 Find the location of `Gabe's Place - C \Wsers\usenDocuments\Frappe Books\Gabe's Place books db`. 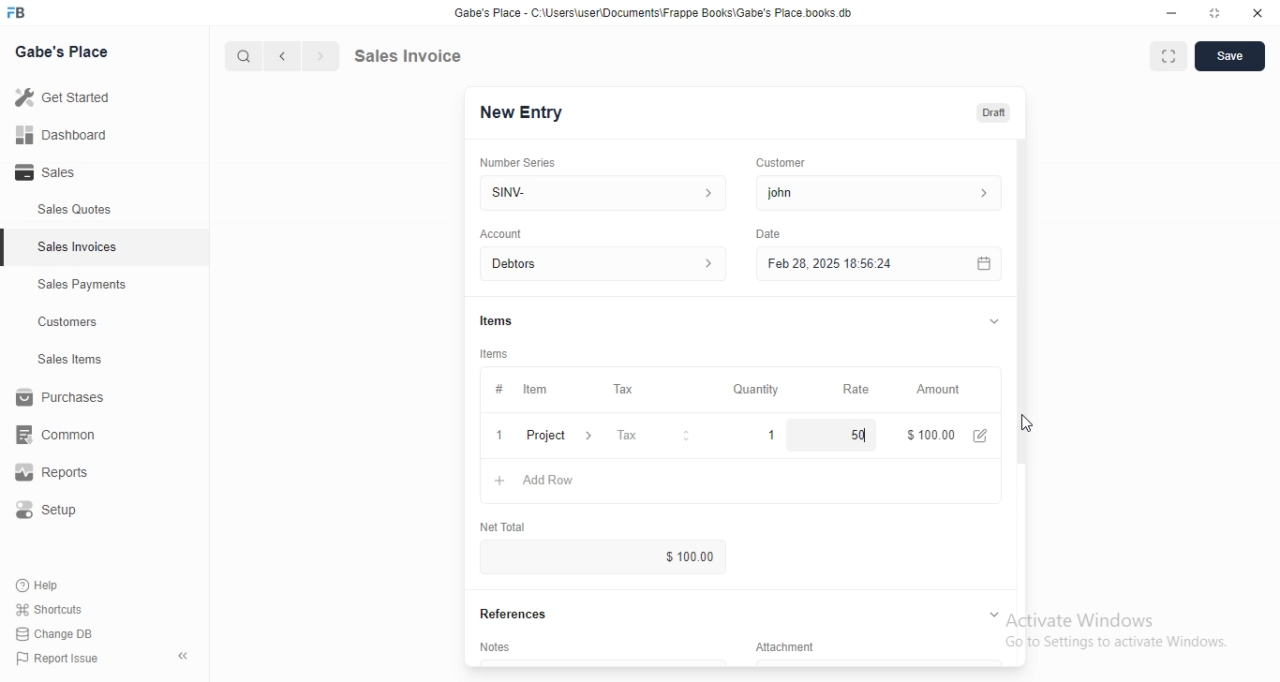

Gabe's Place - C \Wsers\usenDocuments\Frappe Books\Gabe's Place books db is located at coordinates (658, 16).